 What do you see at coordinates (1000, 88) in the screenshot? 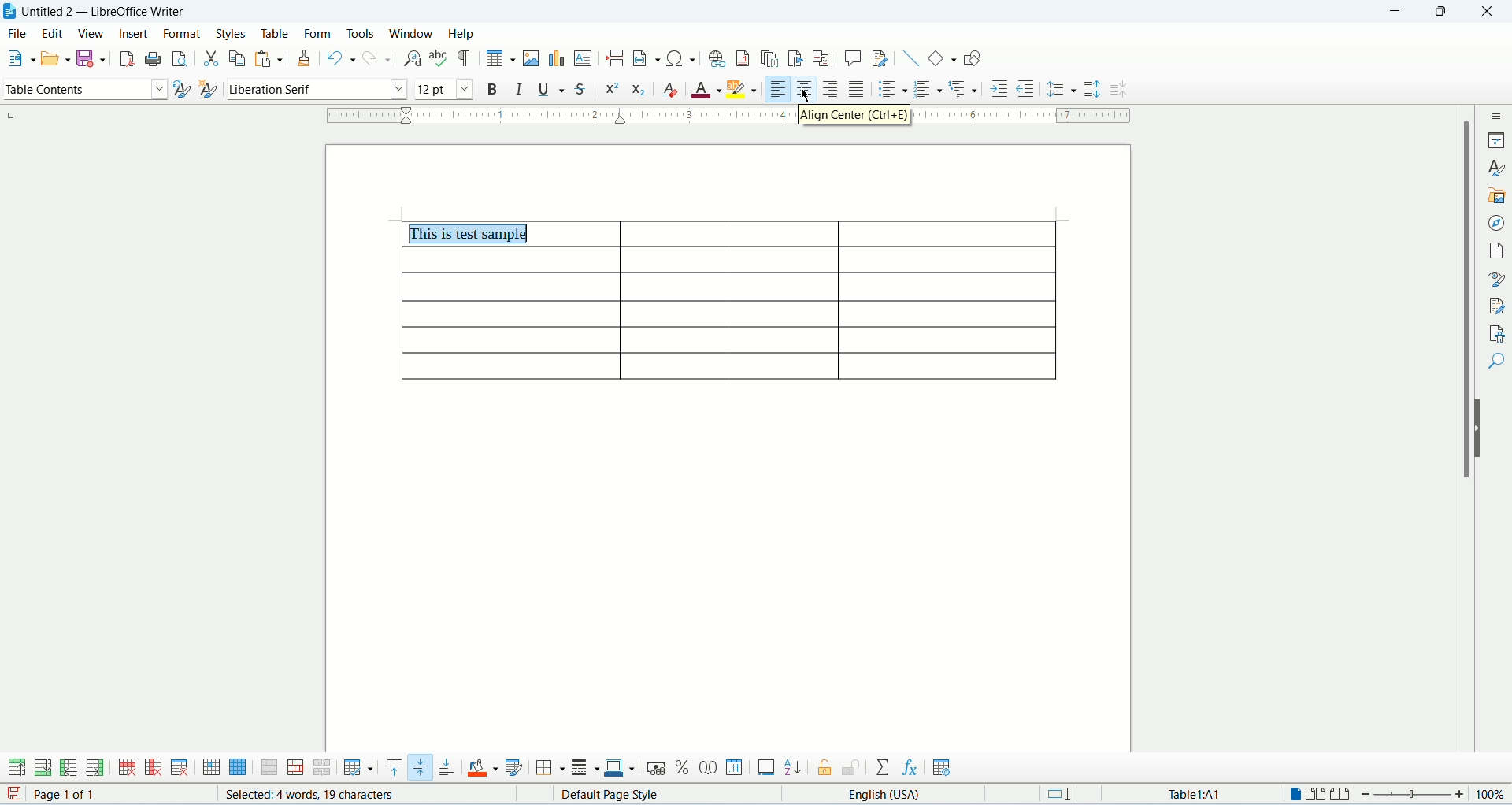
I see `increase indent` at bounding box center [1000, 88].